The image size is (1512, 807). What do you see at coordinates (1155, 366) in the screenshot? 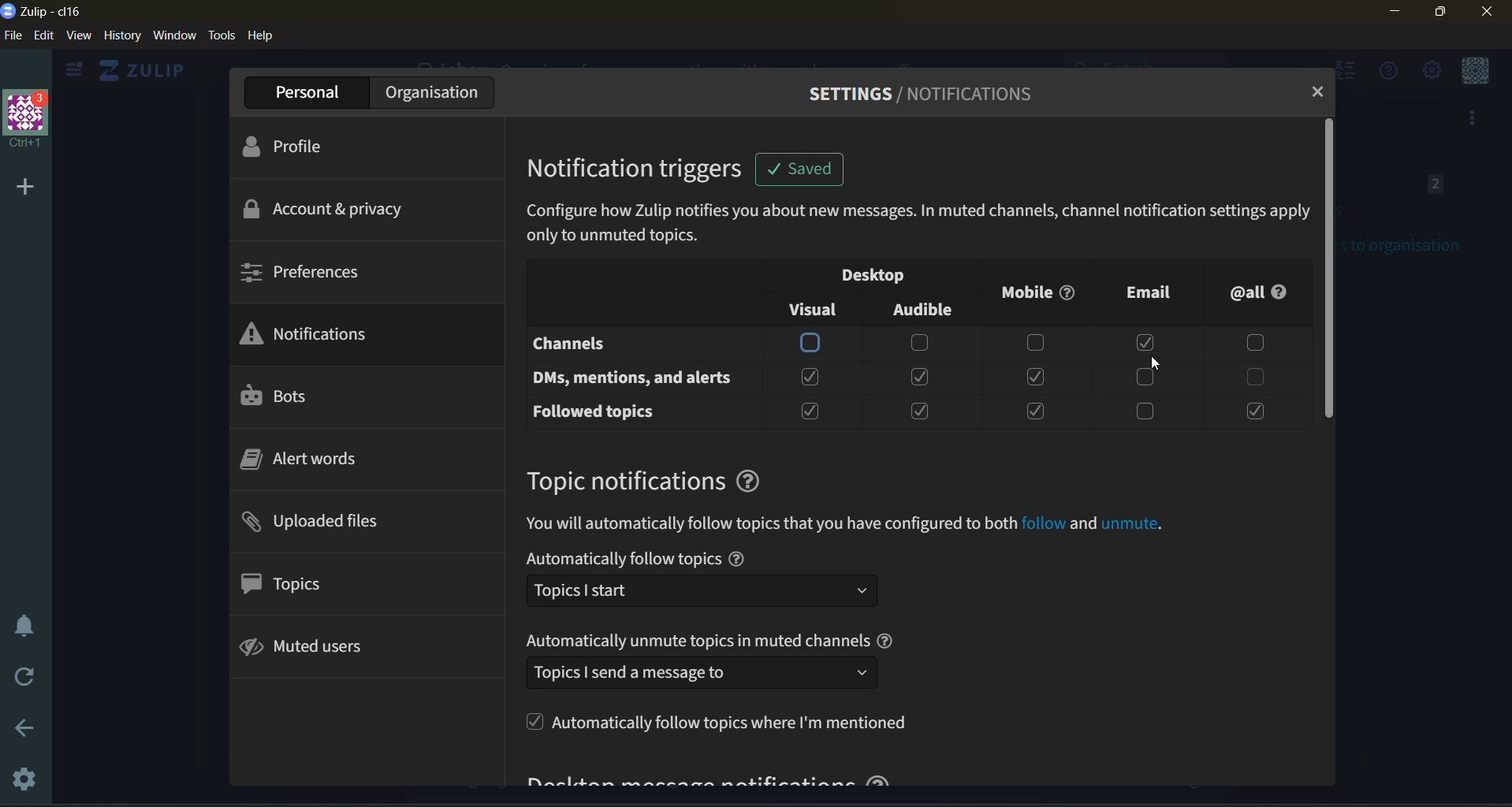
I see `cursor` at bounding box center [1155, 366].